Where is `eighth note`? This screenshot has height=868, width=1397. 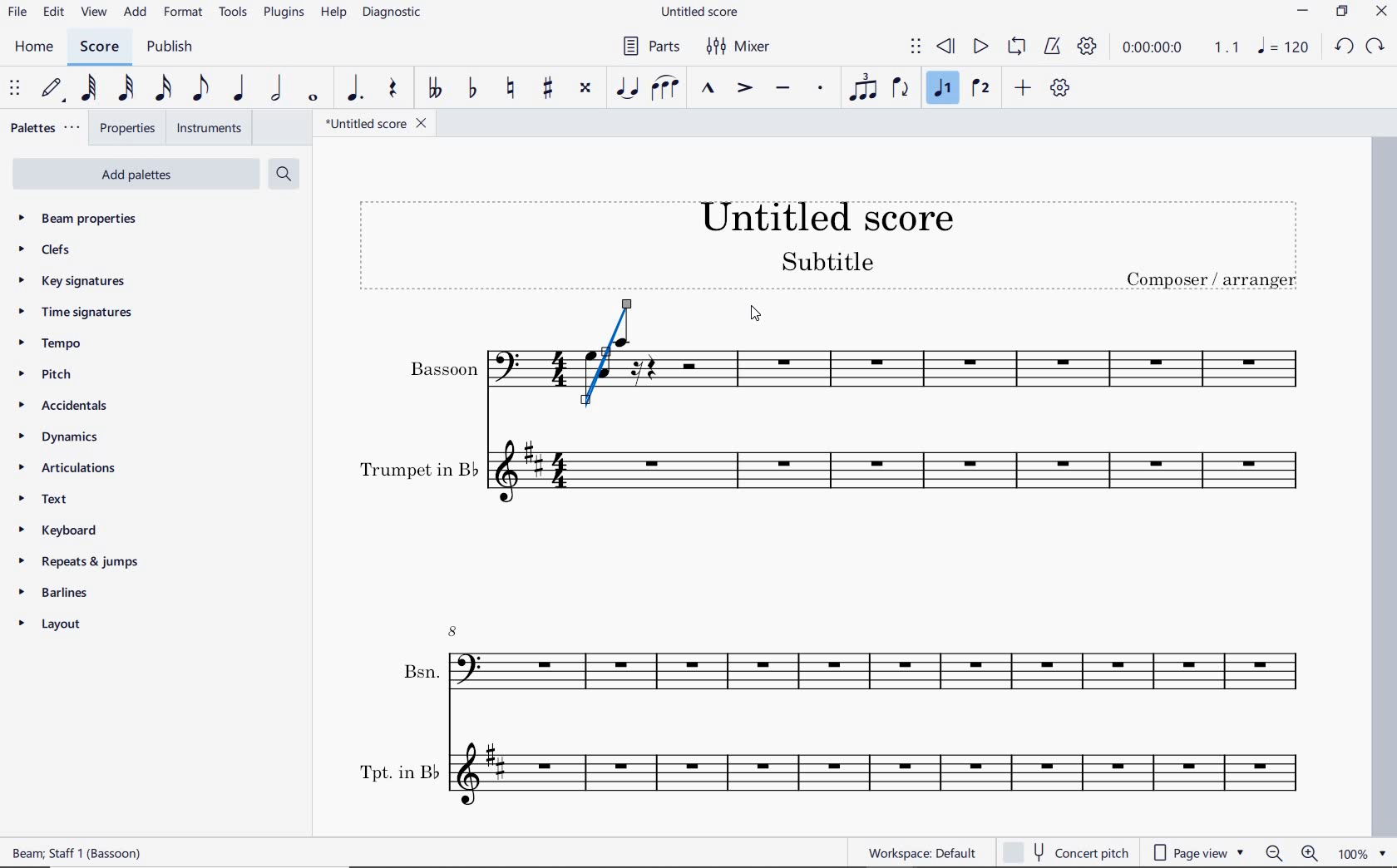
eighth note is located at coordinates (201, 88).